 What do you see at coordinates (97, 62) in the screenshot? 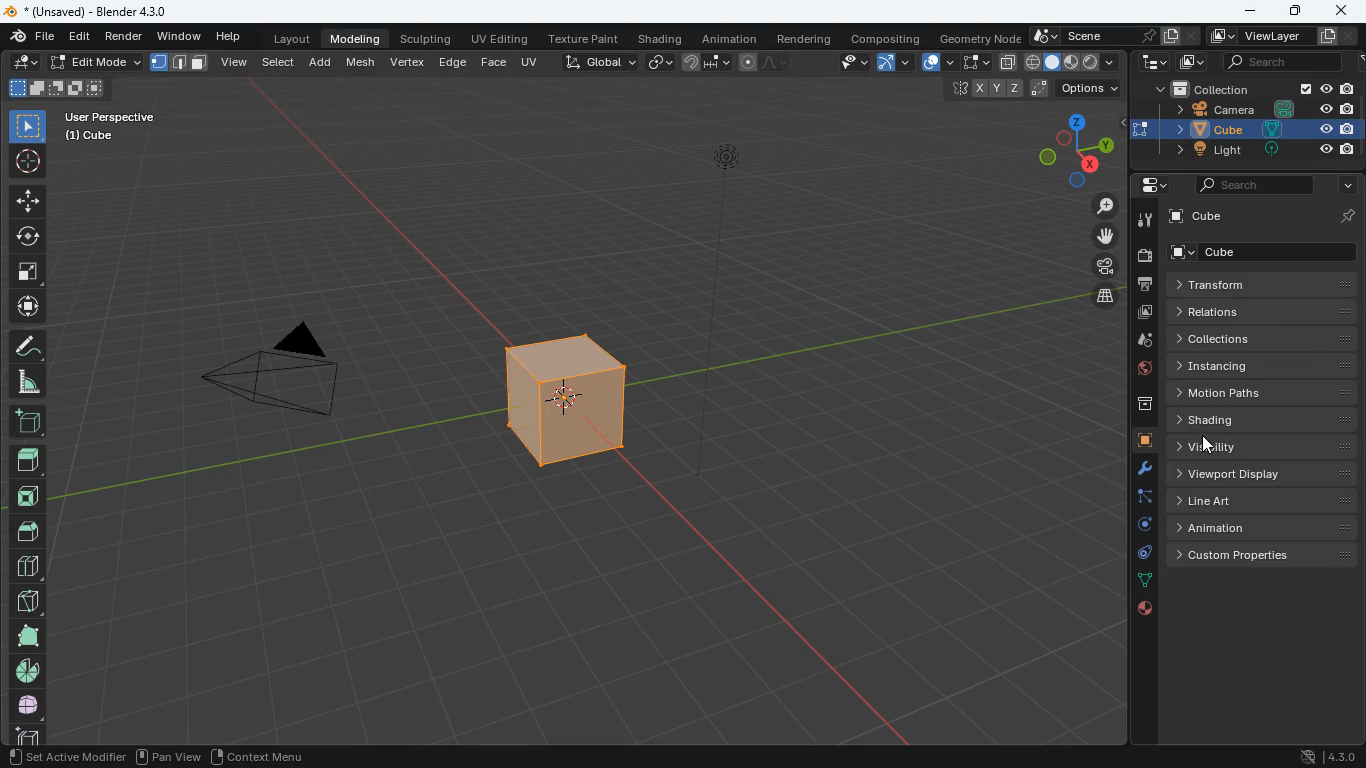
I see `edit mode` at bounding box center [97, 62].